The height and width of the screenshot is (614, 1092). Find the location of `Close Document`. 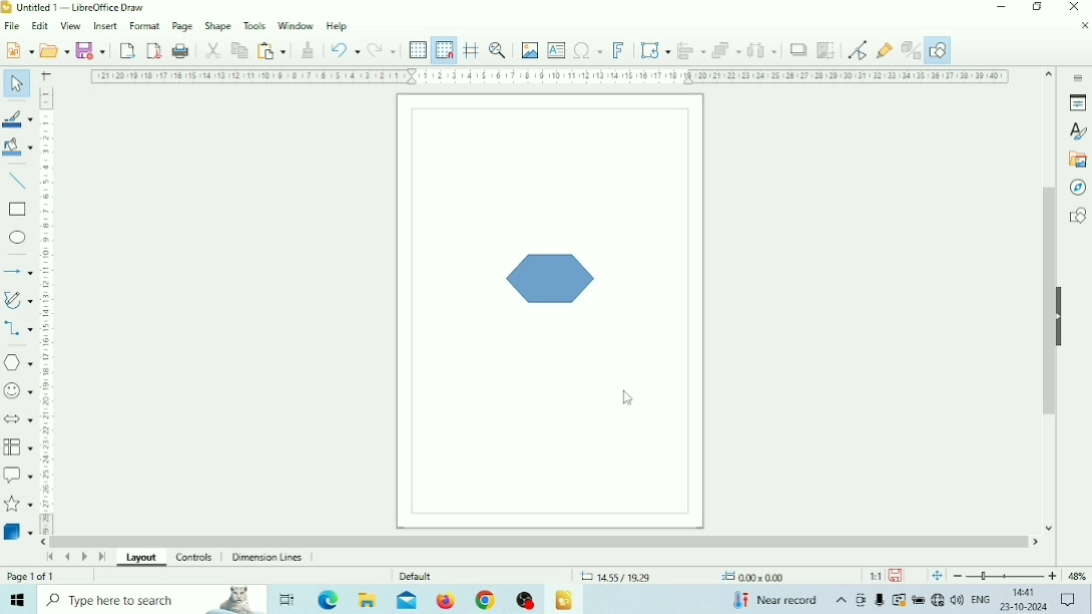

Close Document is located at coordinates (1084, 25).